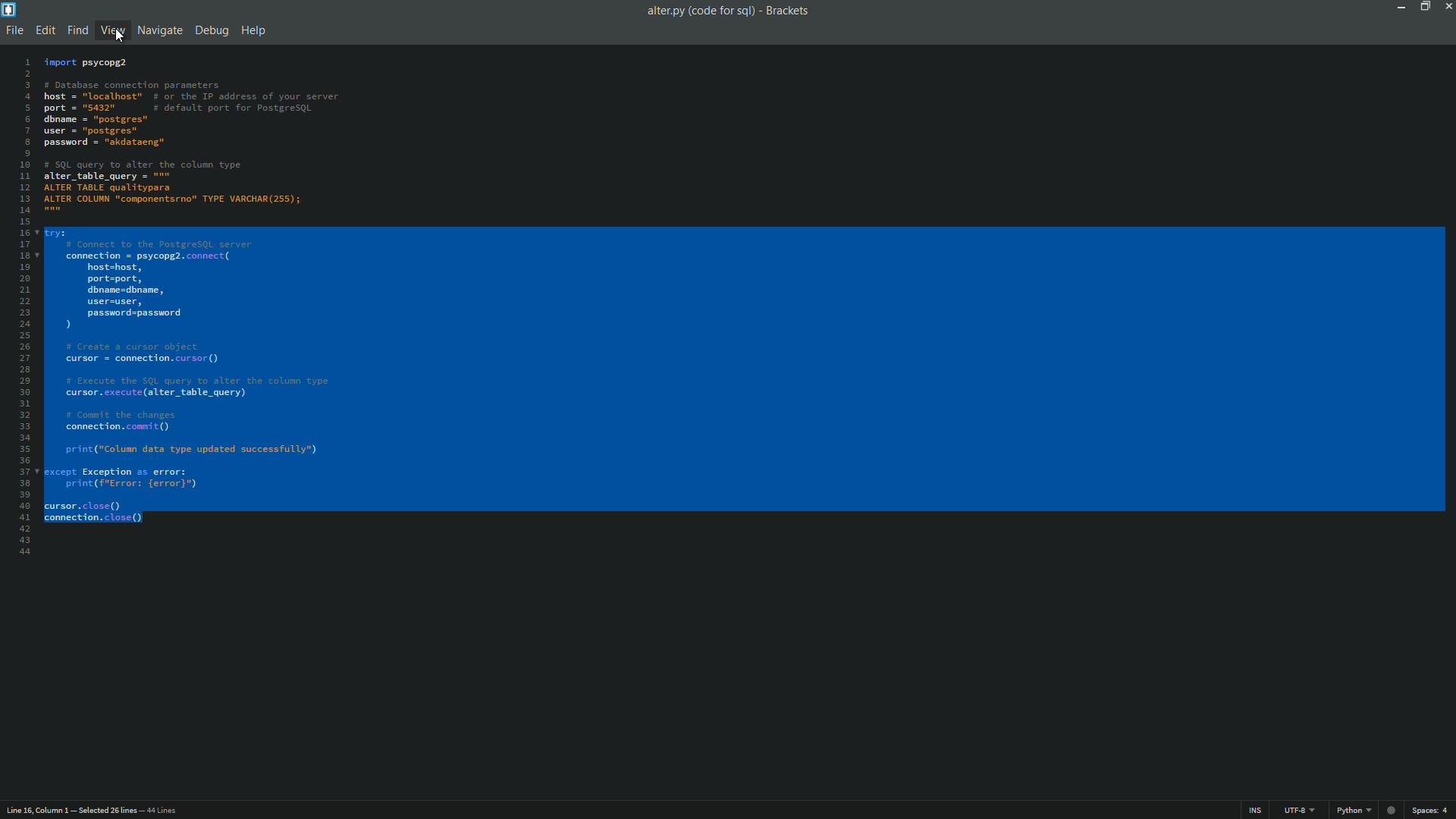 This screenshot has height=819, width=1456. What do you see at coordinates (1367, 811) in the screenshot?
I see `file format` at bounding box center [1367, 811].